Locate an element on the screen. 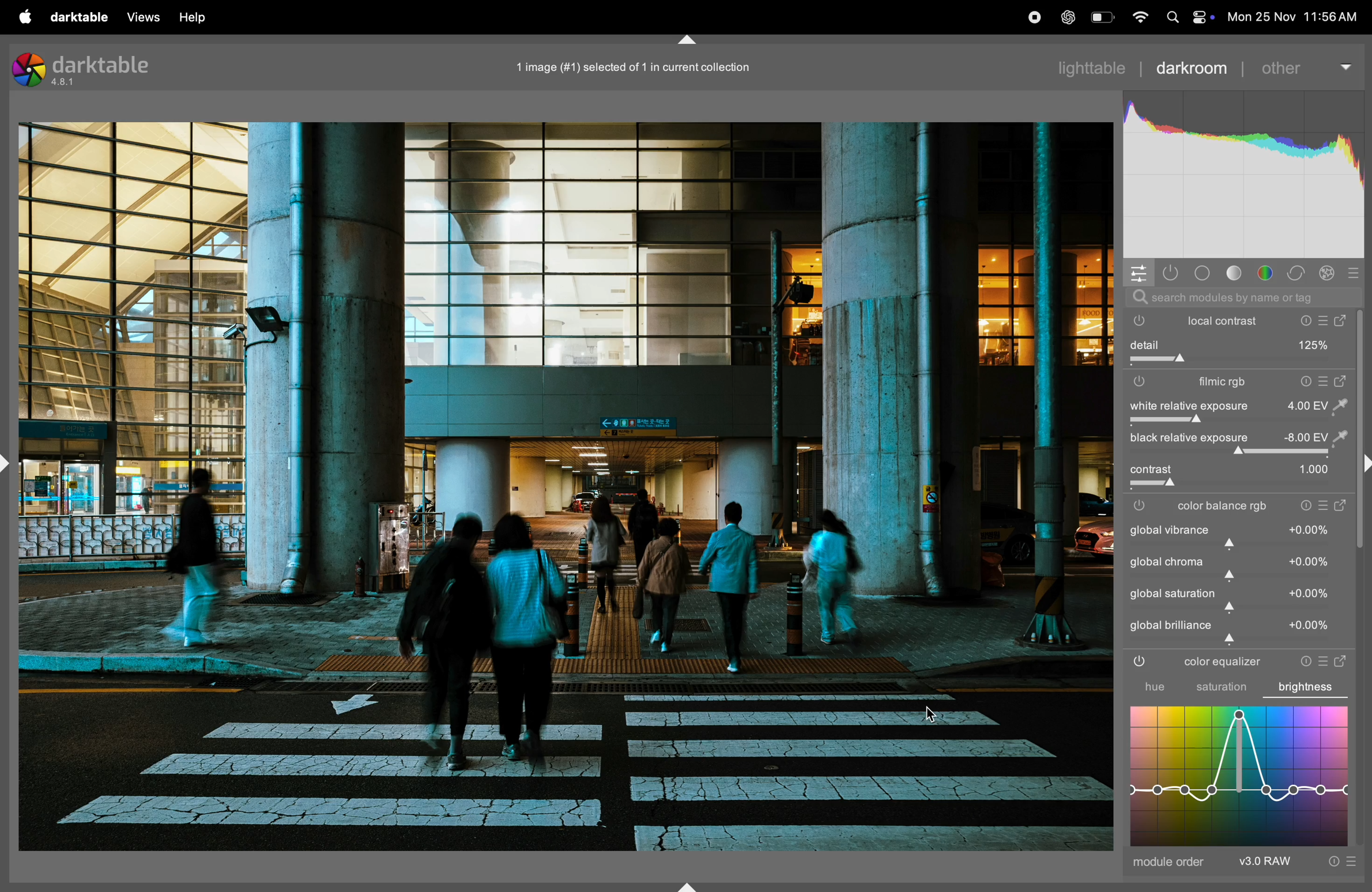  other is located at coordinates (1306, 66).